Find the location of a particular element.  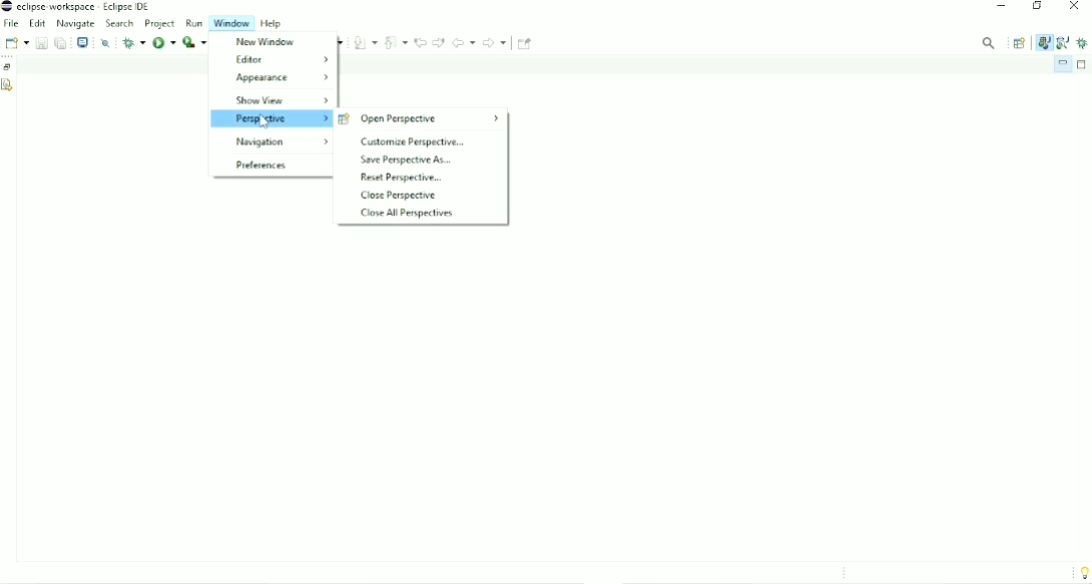

Back is located at coordinates (463, 42).